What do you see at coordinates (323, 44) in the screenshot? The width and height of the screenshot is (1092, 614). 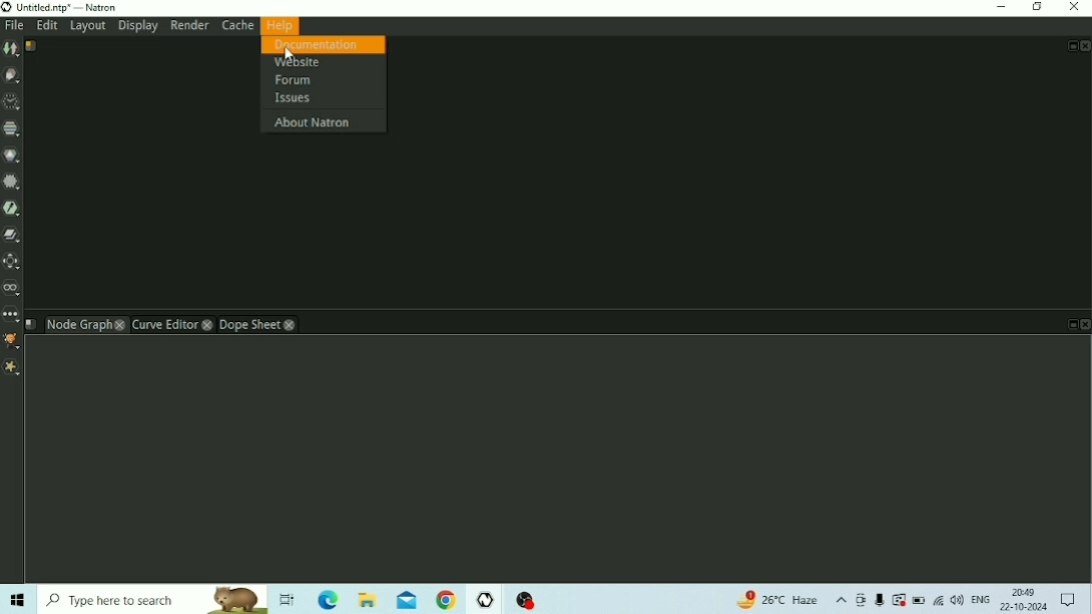 I see `Documentation` at bounding box center [323, 44].